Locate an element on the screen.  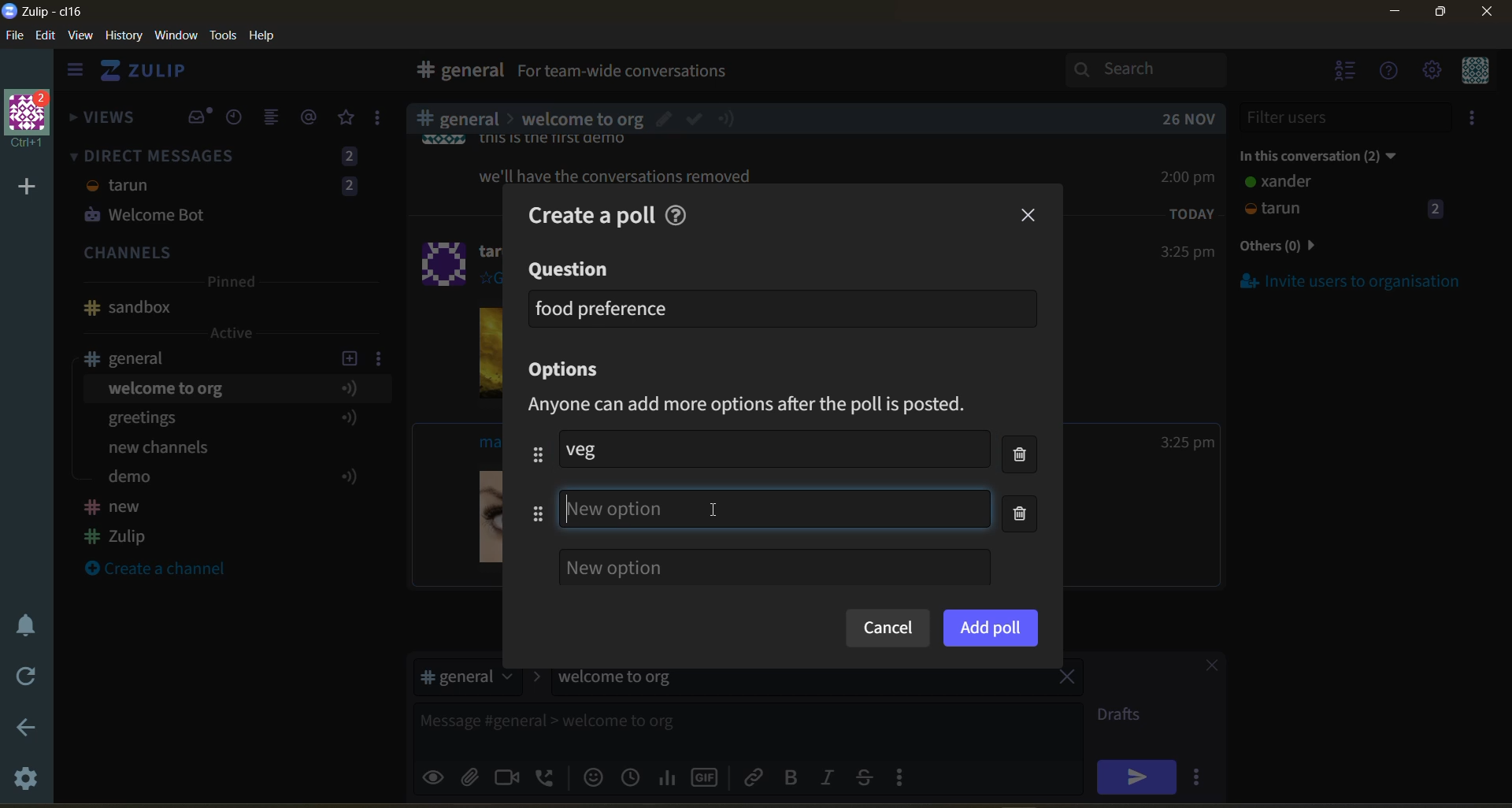
send is located at coordinates (1136, 776).